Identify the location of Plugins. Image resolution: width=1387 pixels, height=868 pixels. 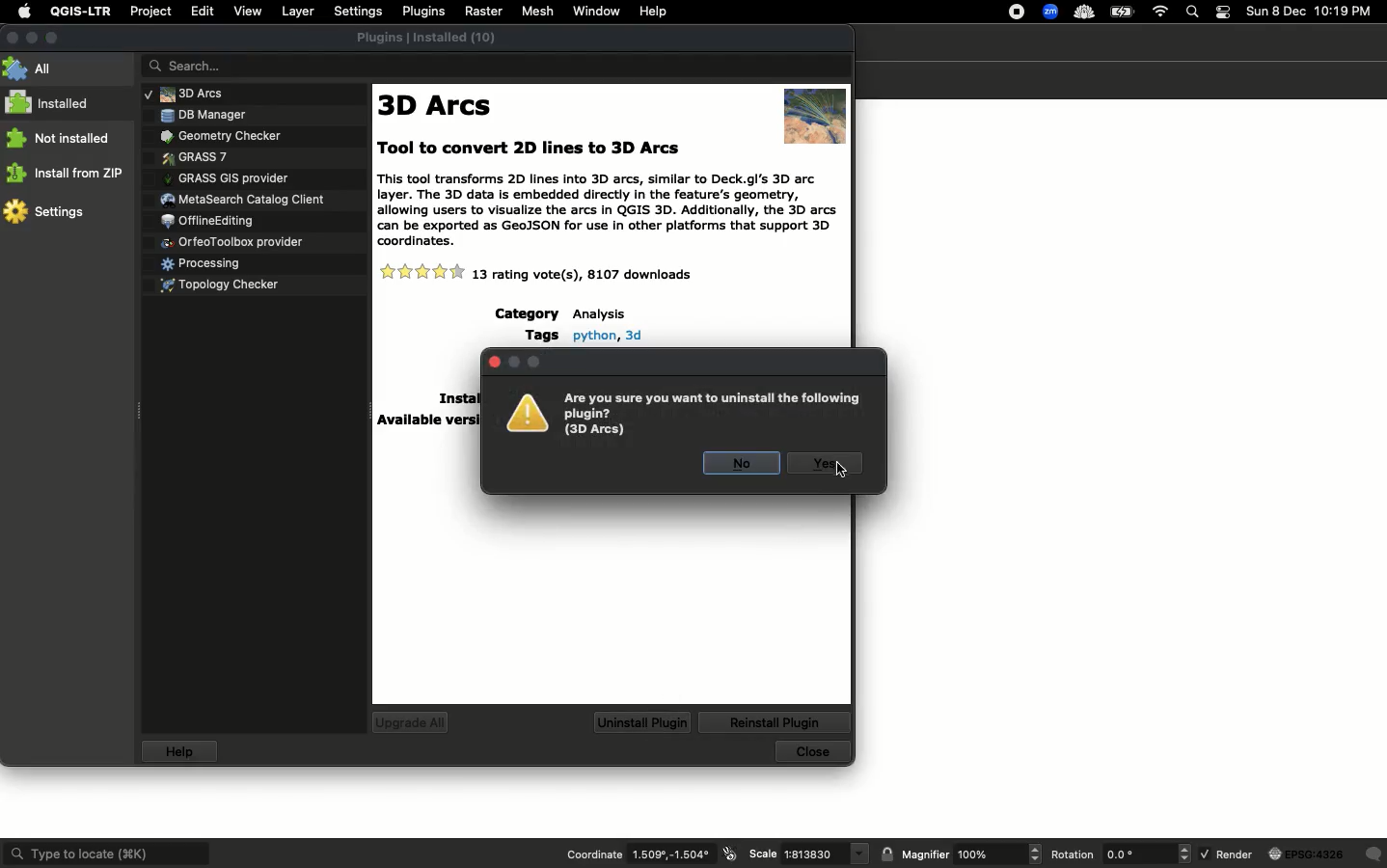
(216, 133).